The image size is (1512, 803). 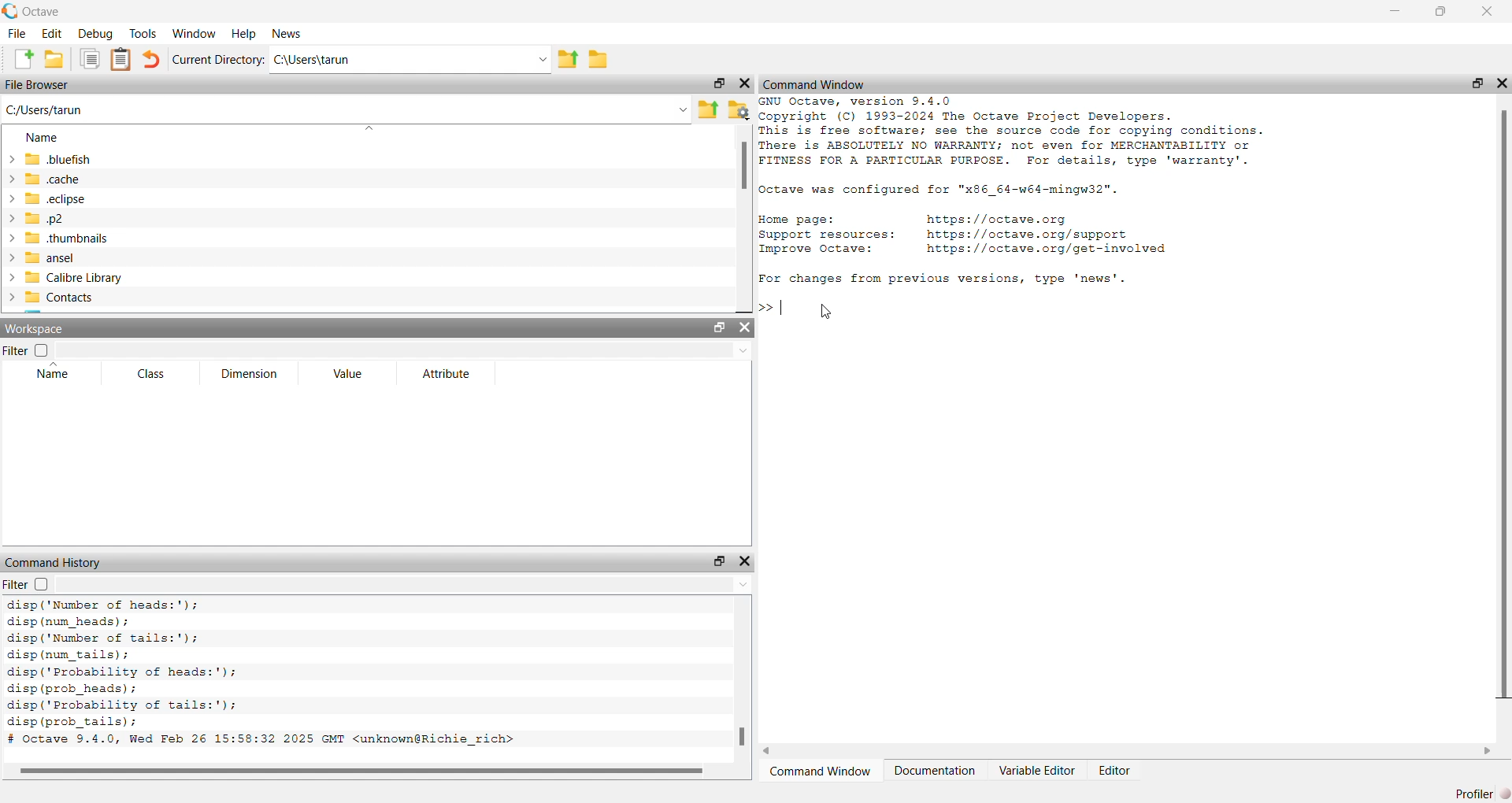 I want to click on Window, so click(x=195, y=33).